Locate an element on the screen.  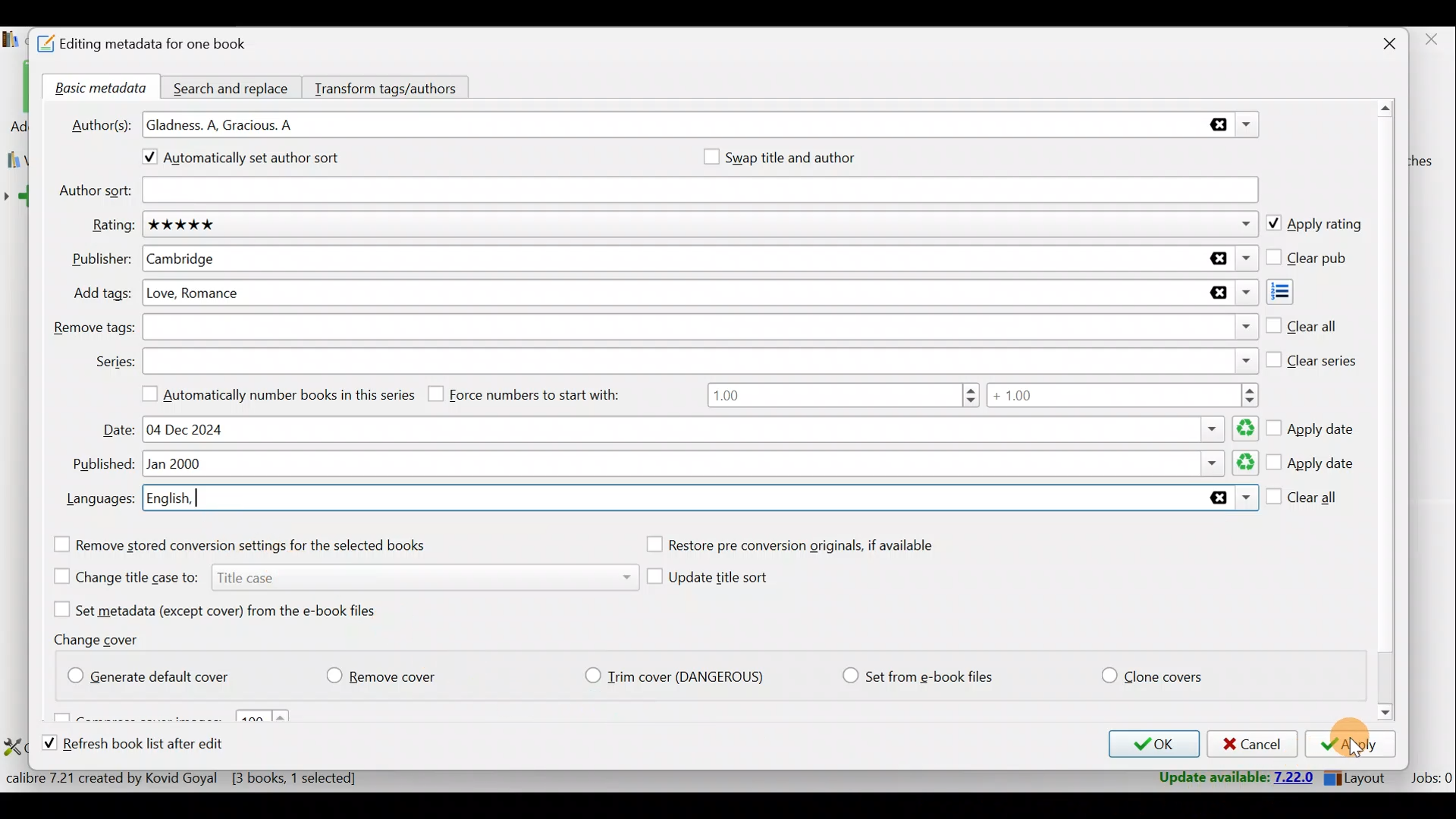
Transform tags/authors is located at coordinates (392, 86).